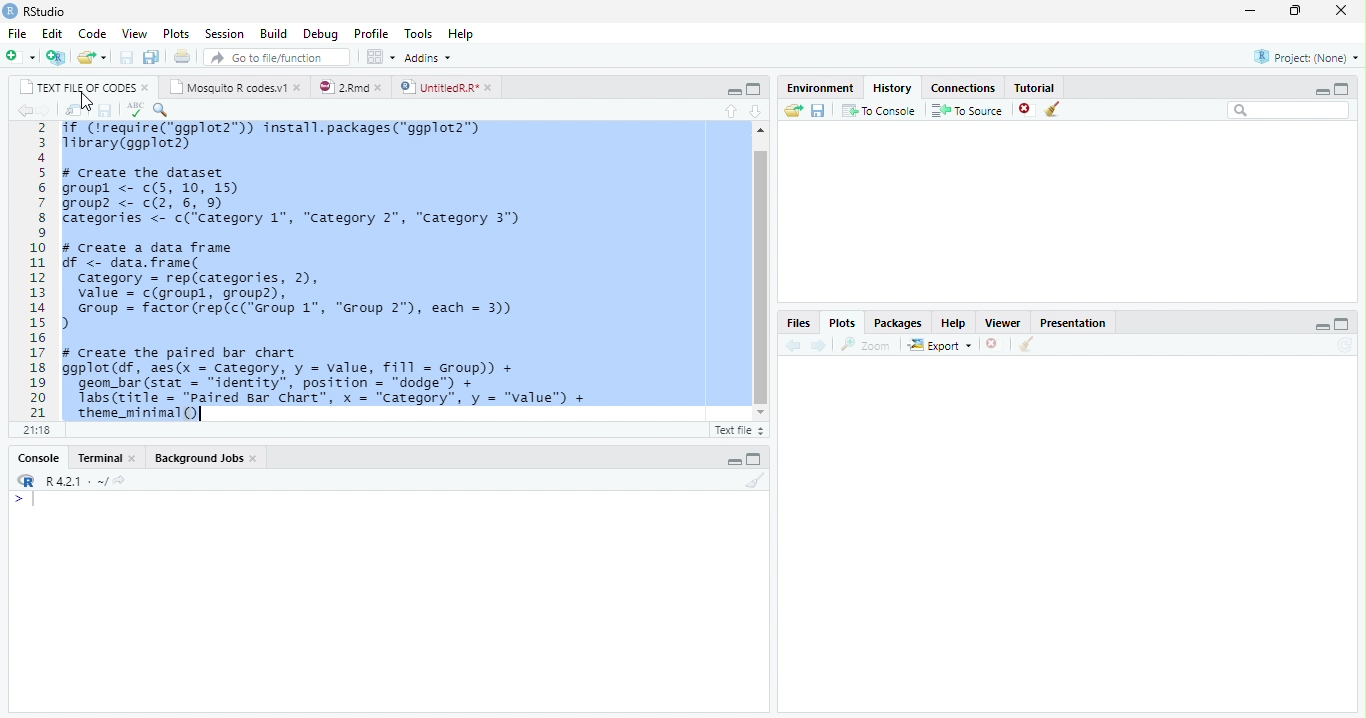 The height and width of the screenshot is (718, 1366). Describe the element at coordinates (174, 32) in the screenshot. I see `plots` at that location.